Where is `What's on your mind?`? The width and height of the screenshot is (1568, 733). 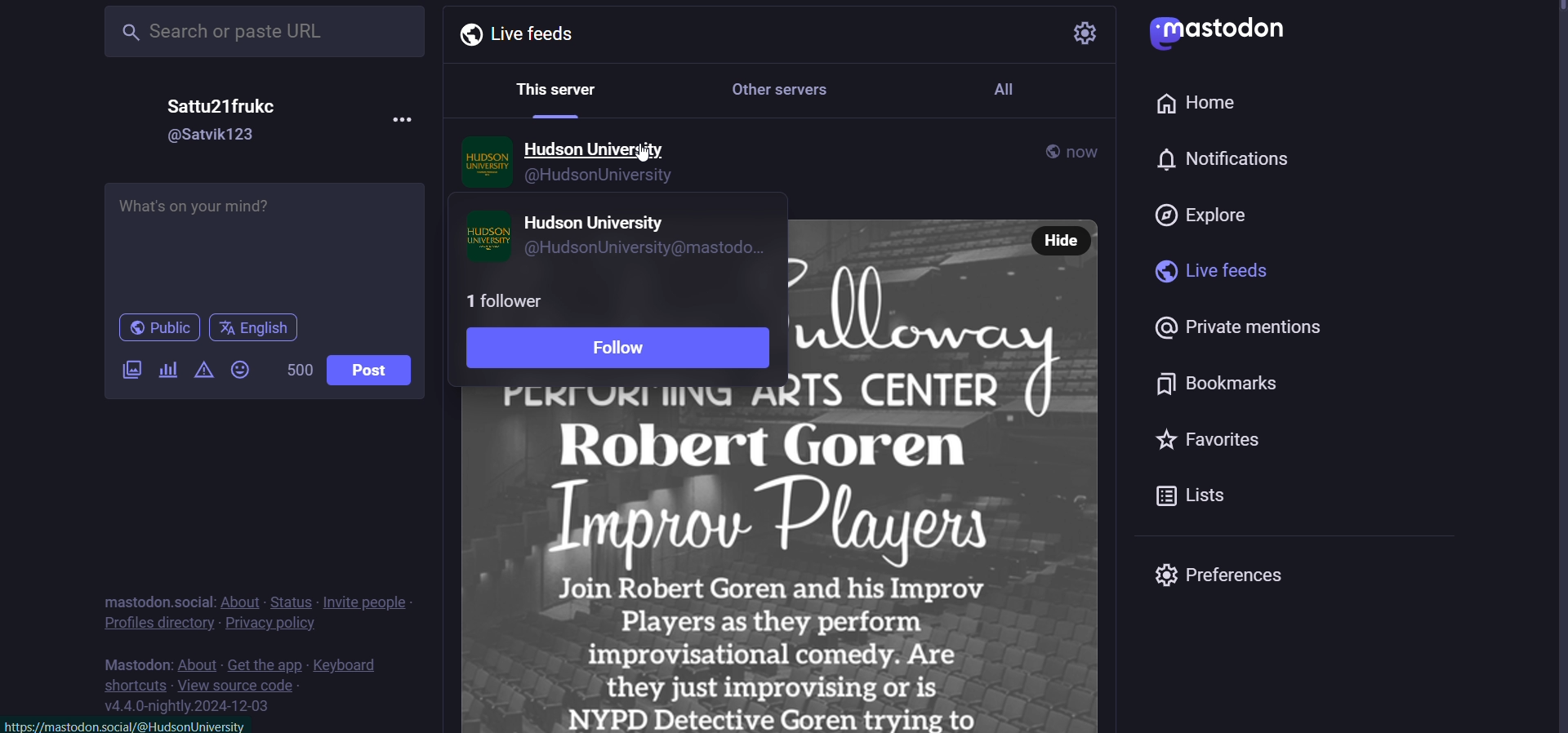
What's on your mind? is located at coordinates (265, 247).